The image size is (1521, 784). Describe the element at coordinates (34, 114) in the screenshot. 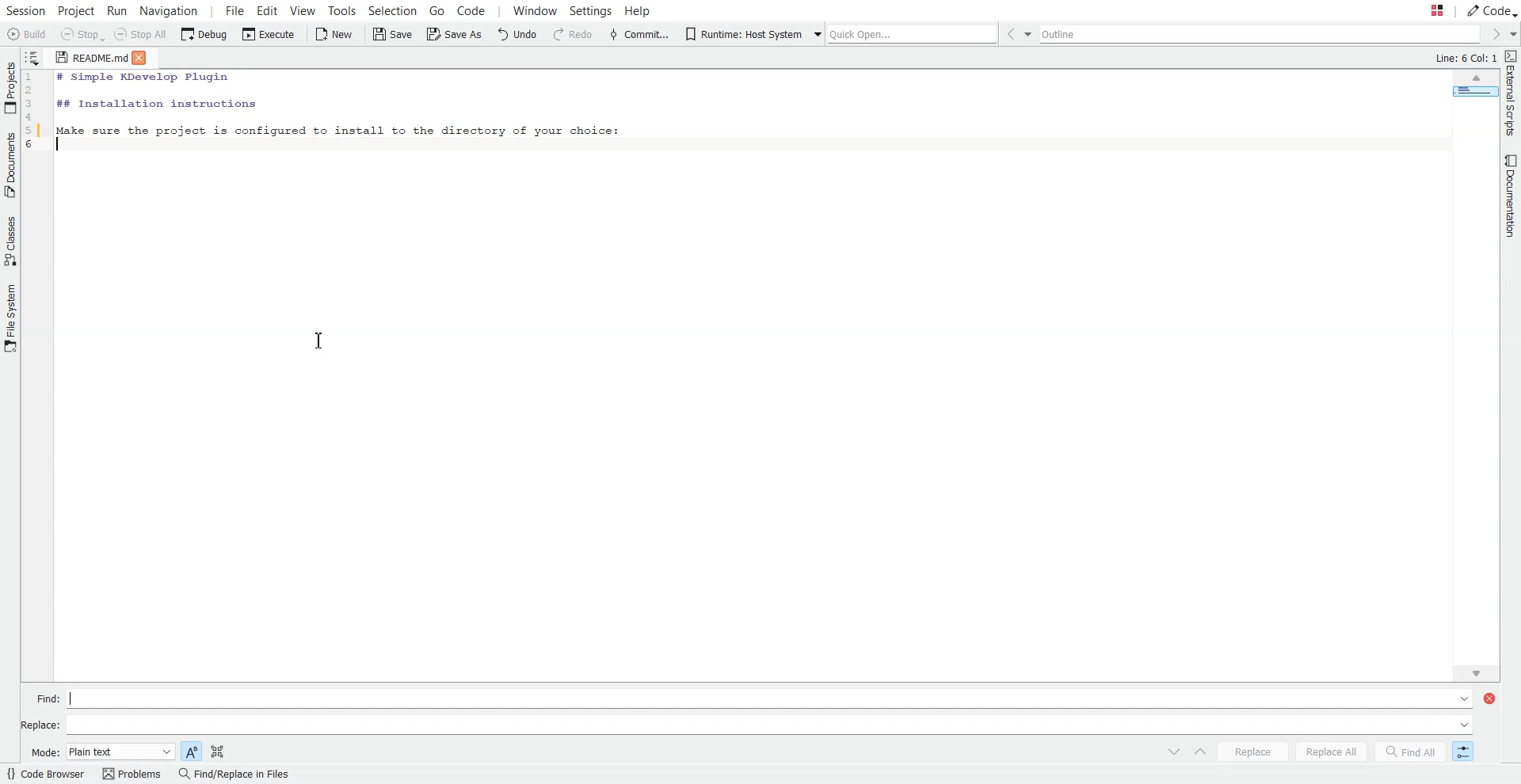

I see `Code line` at that location.